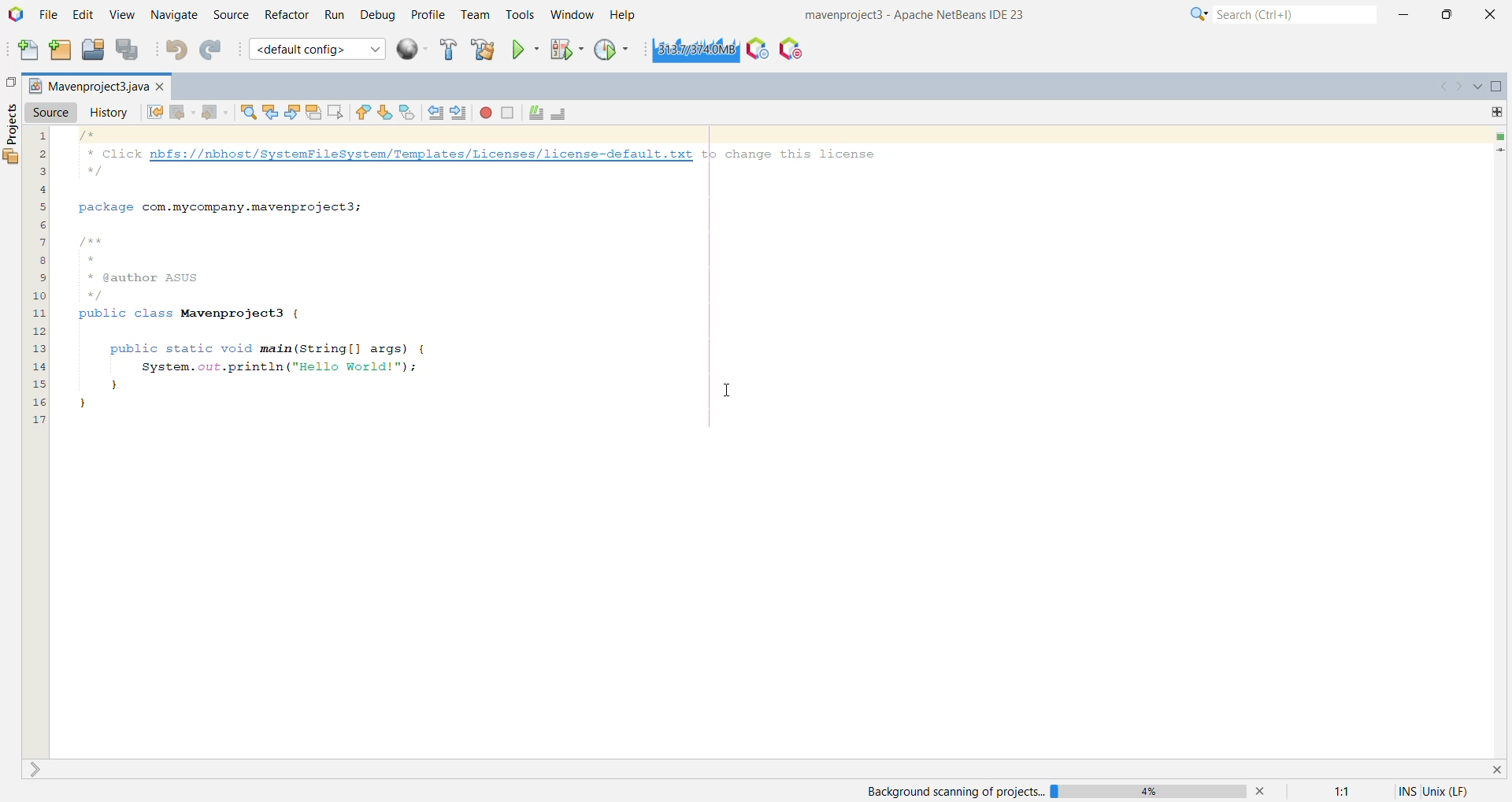  Describe the element at coordinates (49, 16) in the screenshot. I see `File` at that location.